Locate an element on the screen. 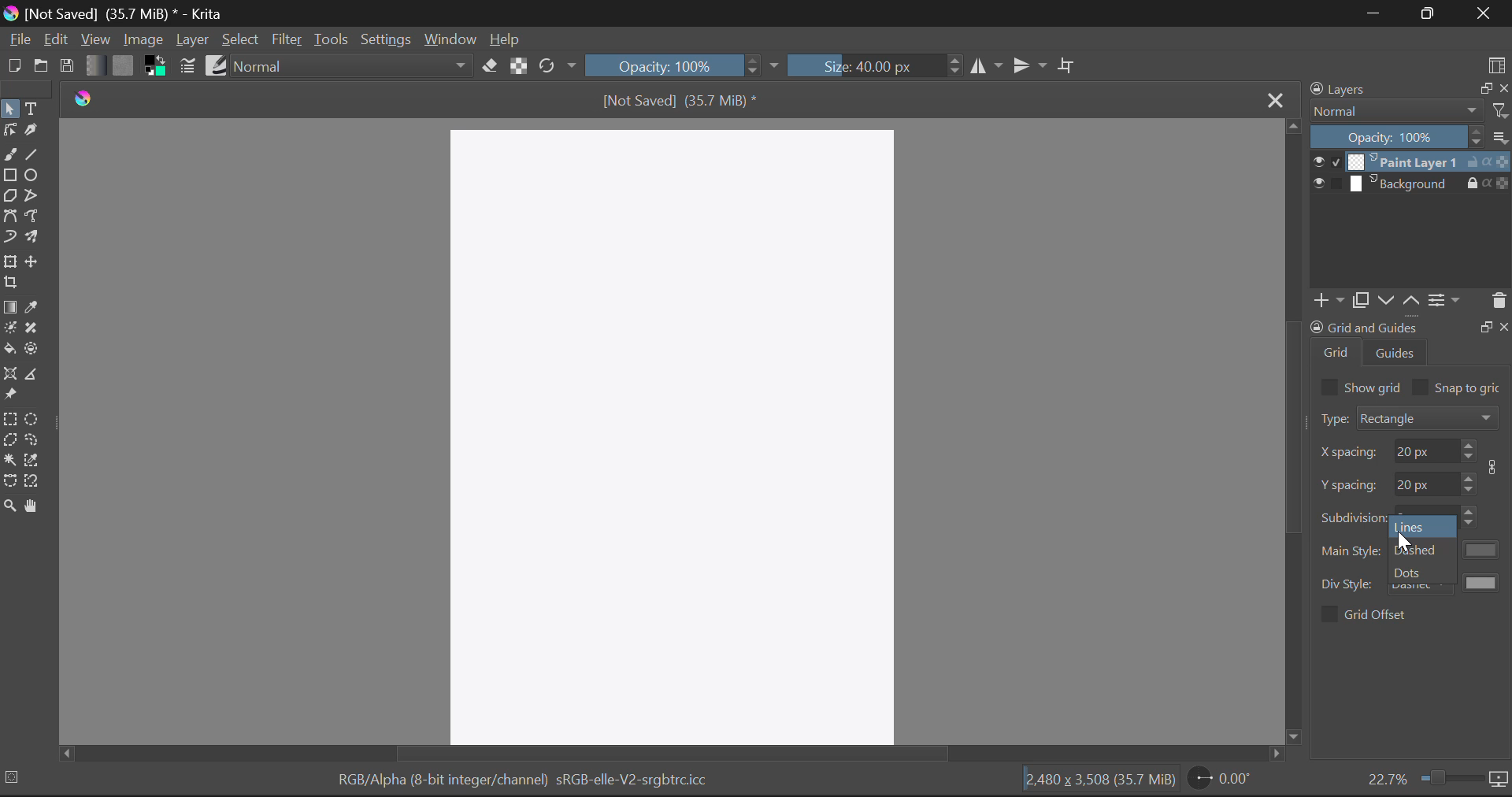  main style is located at coordinates (1351, 551).